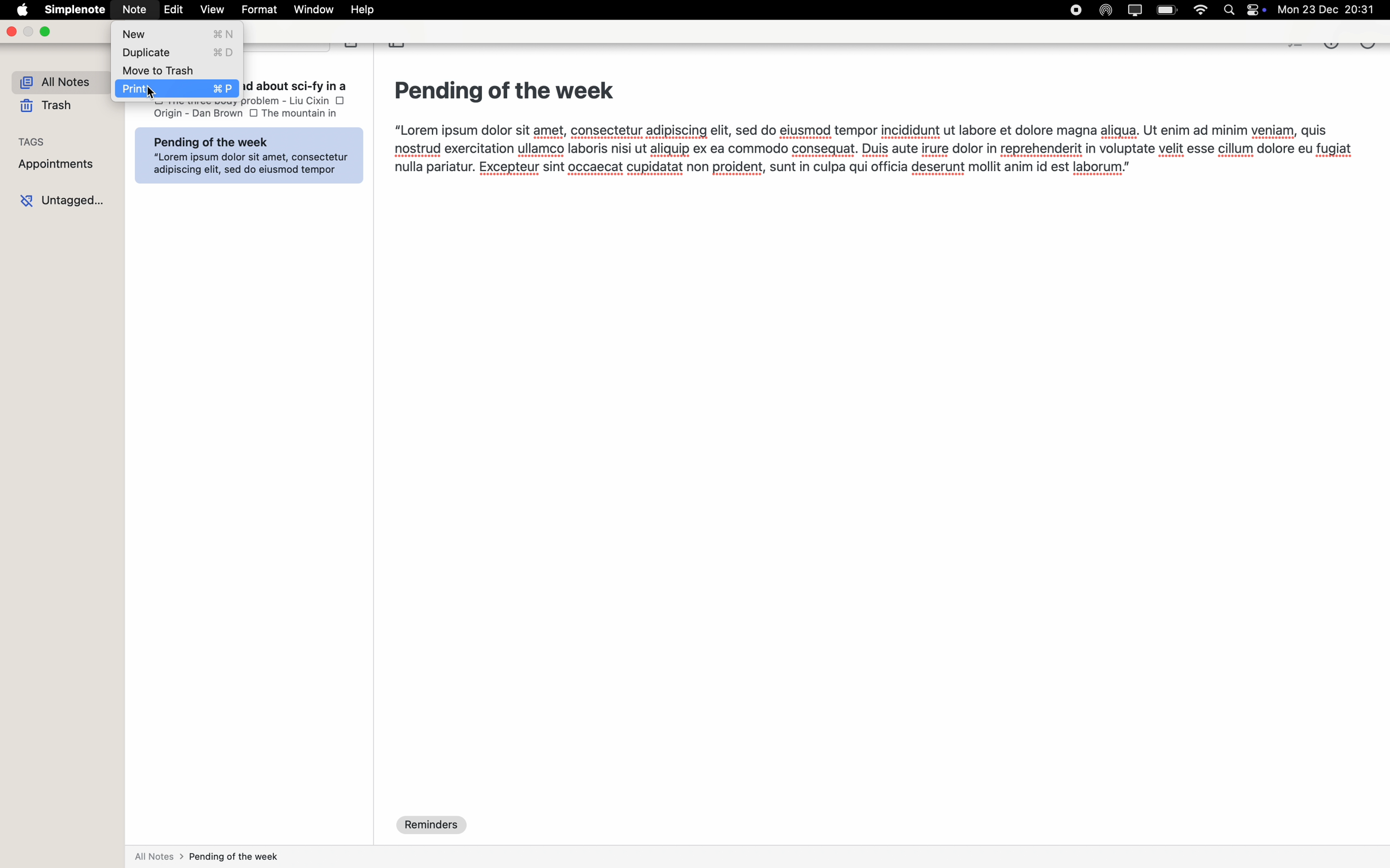  Describe the element at coordinates (64, 201) in the screenshot. I see `untagged` at that location.